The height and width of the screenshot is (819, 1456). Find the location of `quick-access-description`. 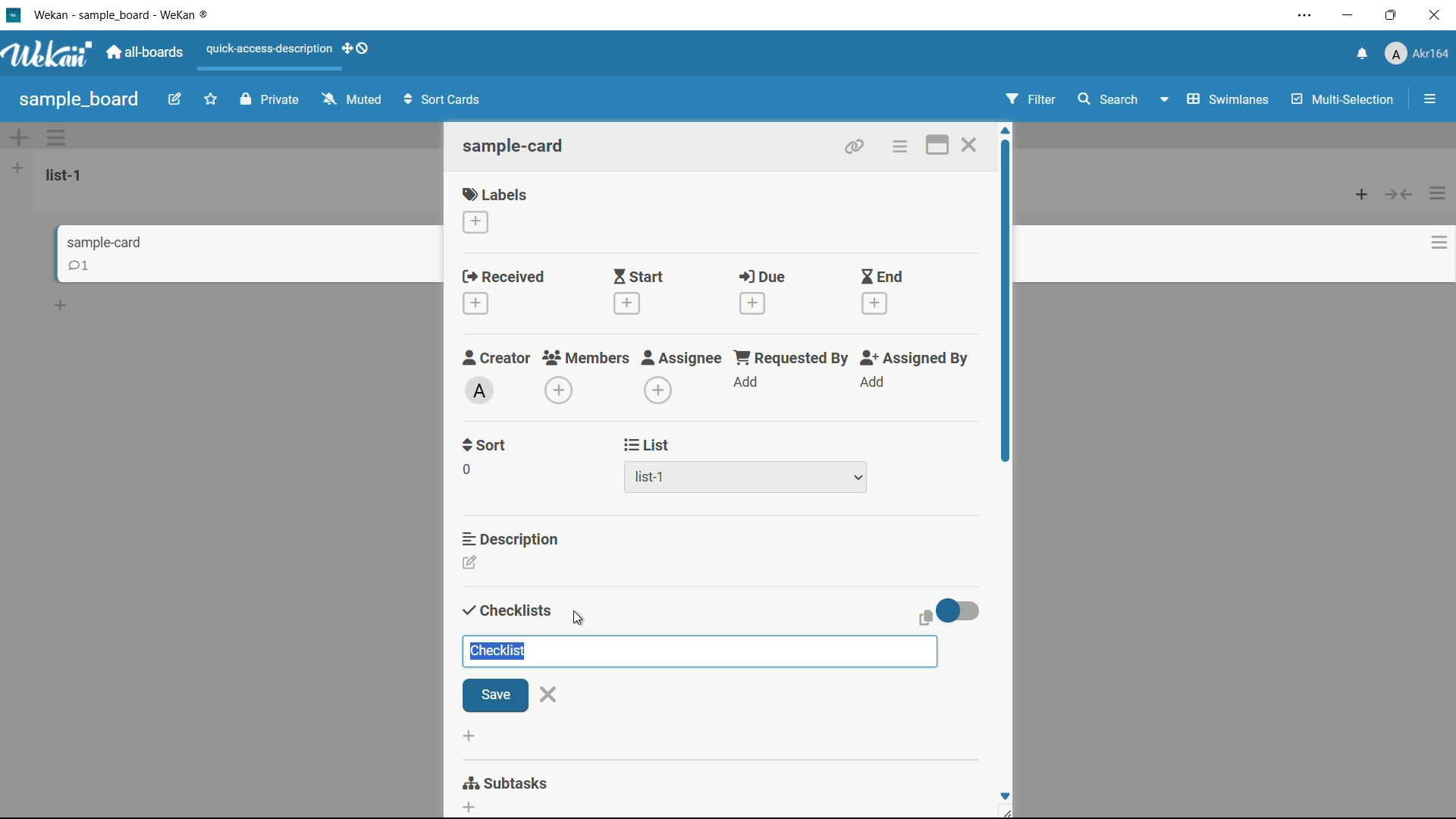

quick-access-description is located at coordinates (266, 49).